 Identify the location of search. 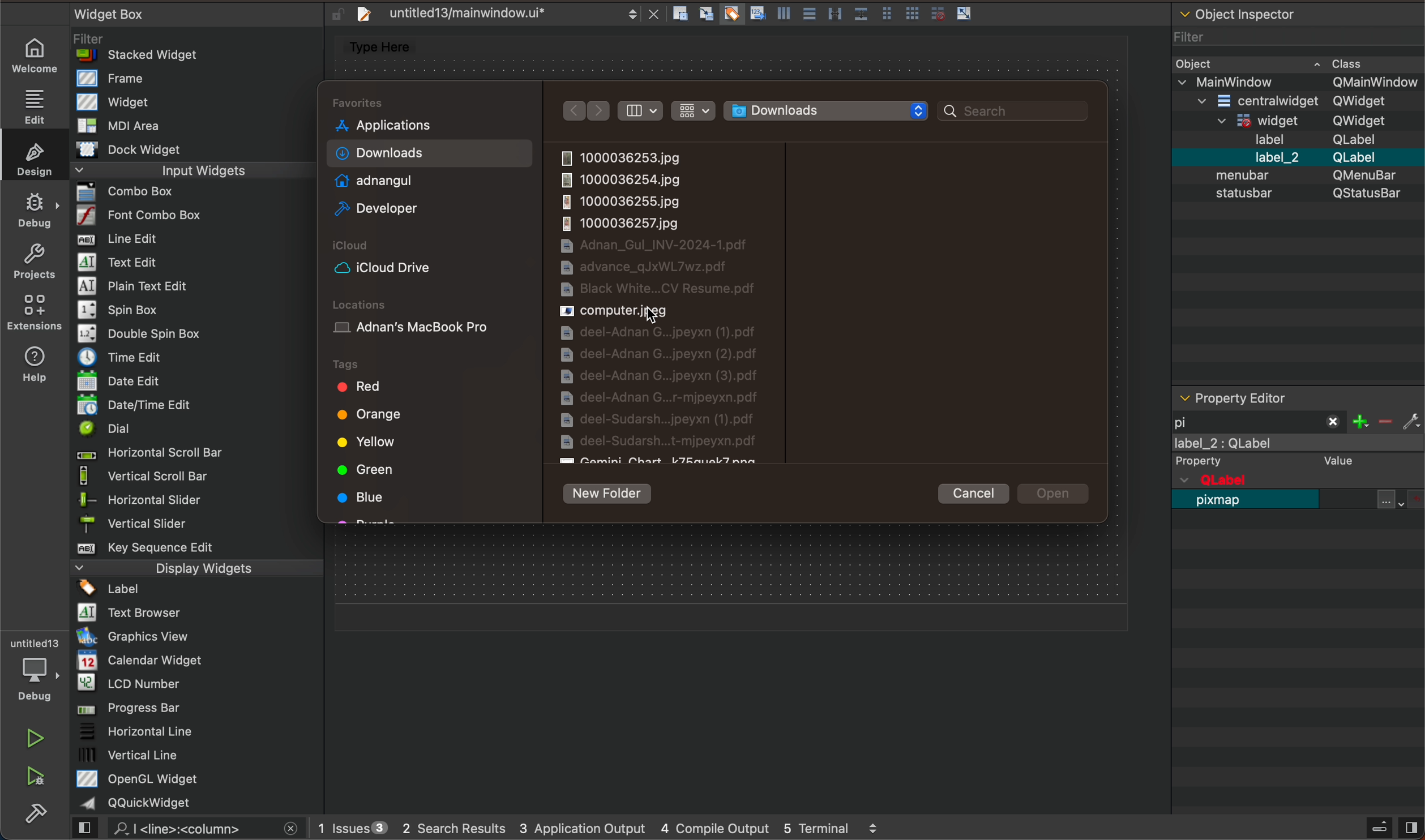
(1017, 111).